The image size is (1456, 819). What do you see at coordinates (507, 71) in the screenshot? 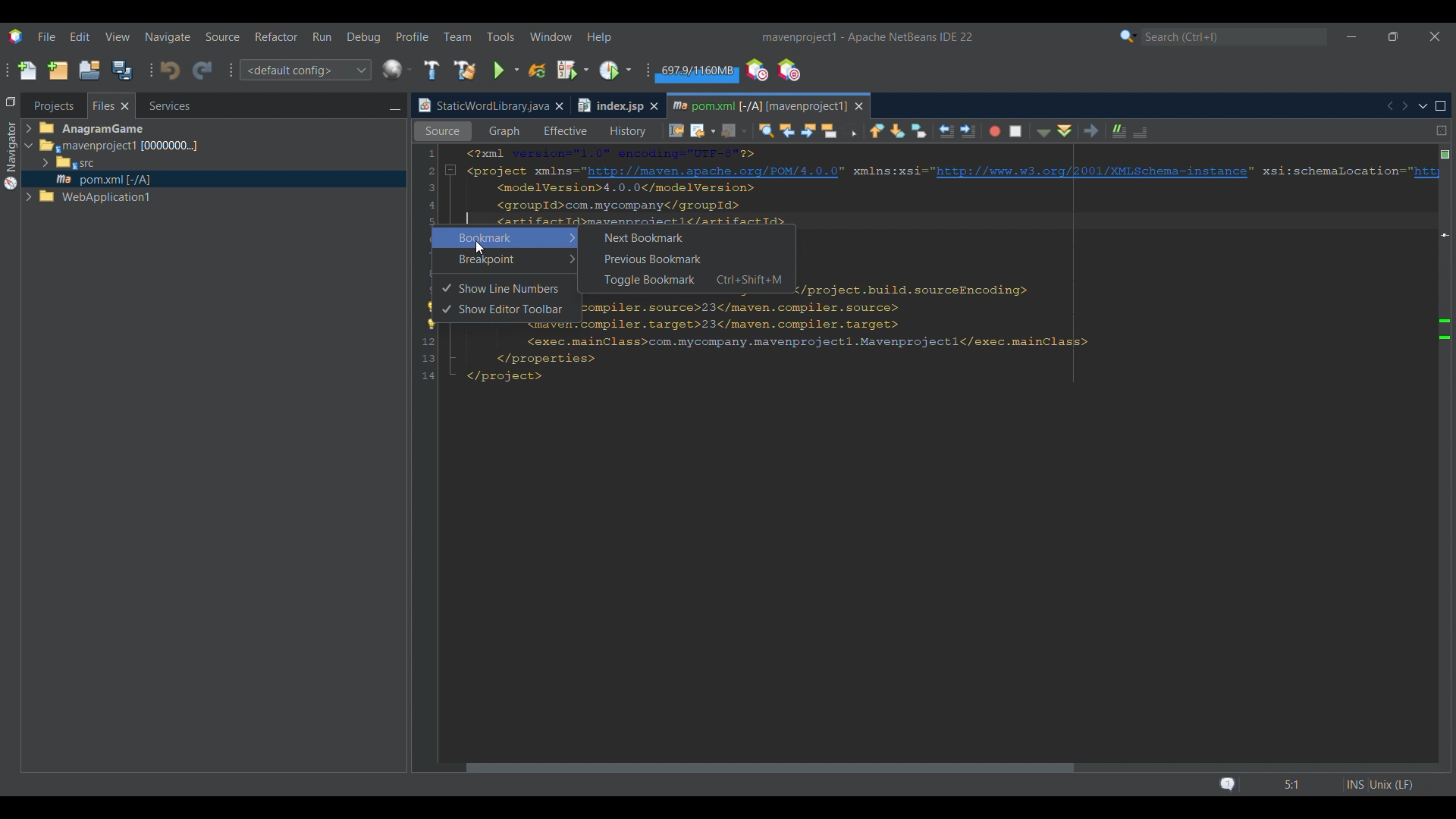
I see `Run main project options` at bounding box center [507, 71].